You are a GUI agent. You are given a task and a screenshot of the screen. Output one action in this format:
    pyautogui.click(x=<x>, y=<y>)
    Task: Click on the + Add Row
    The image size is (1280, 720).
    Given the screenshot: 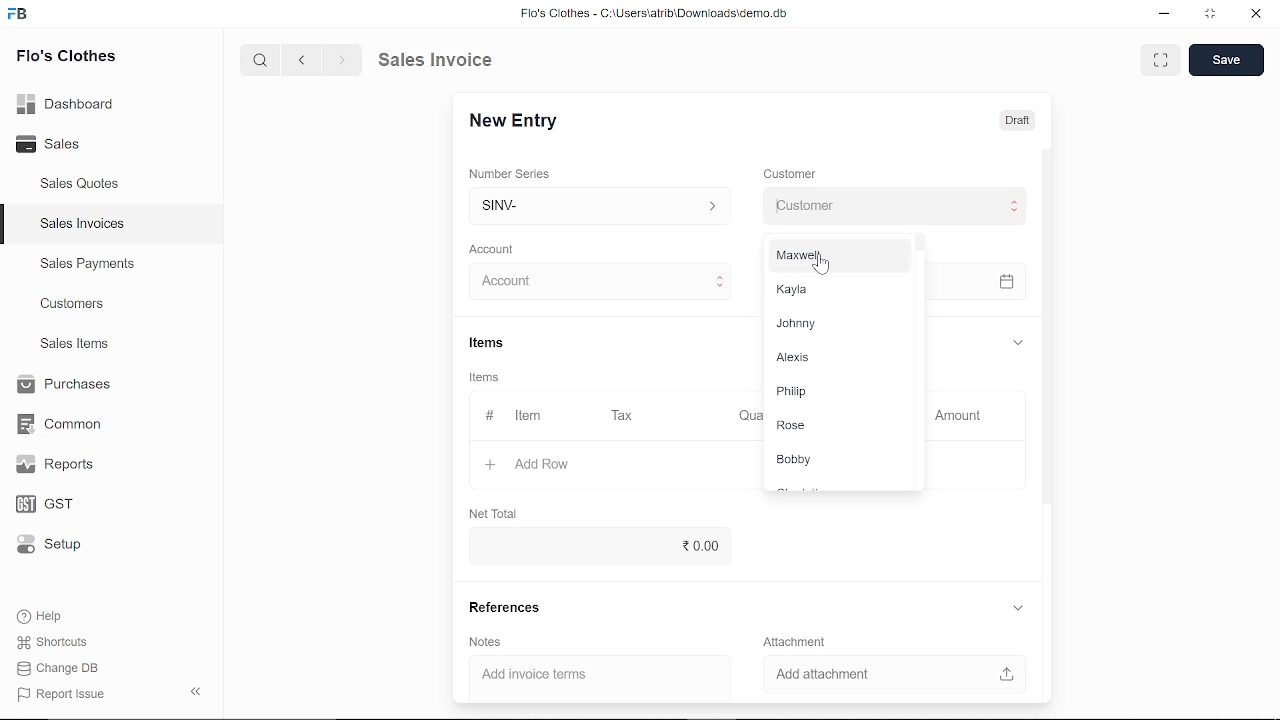 What is the action you would take?
    pyautogui.click(x=532, y=464)
    